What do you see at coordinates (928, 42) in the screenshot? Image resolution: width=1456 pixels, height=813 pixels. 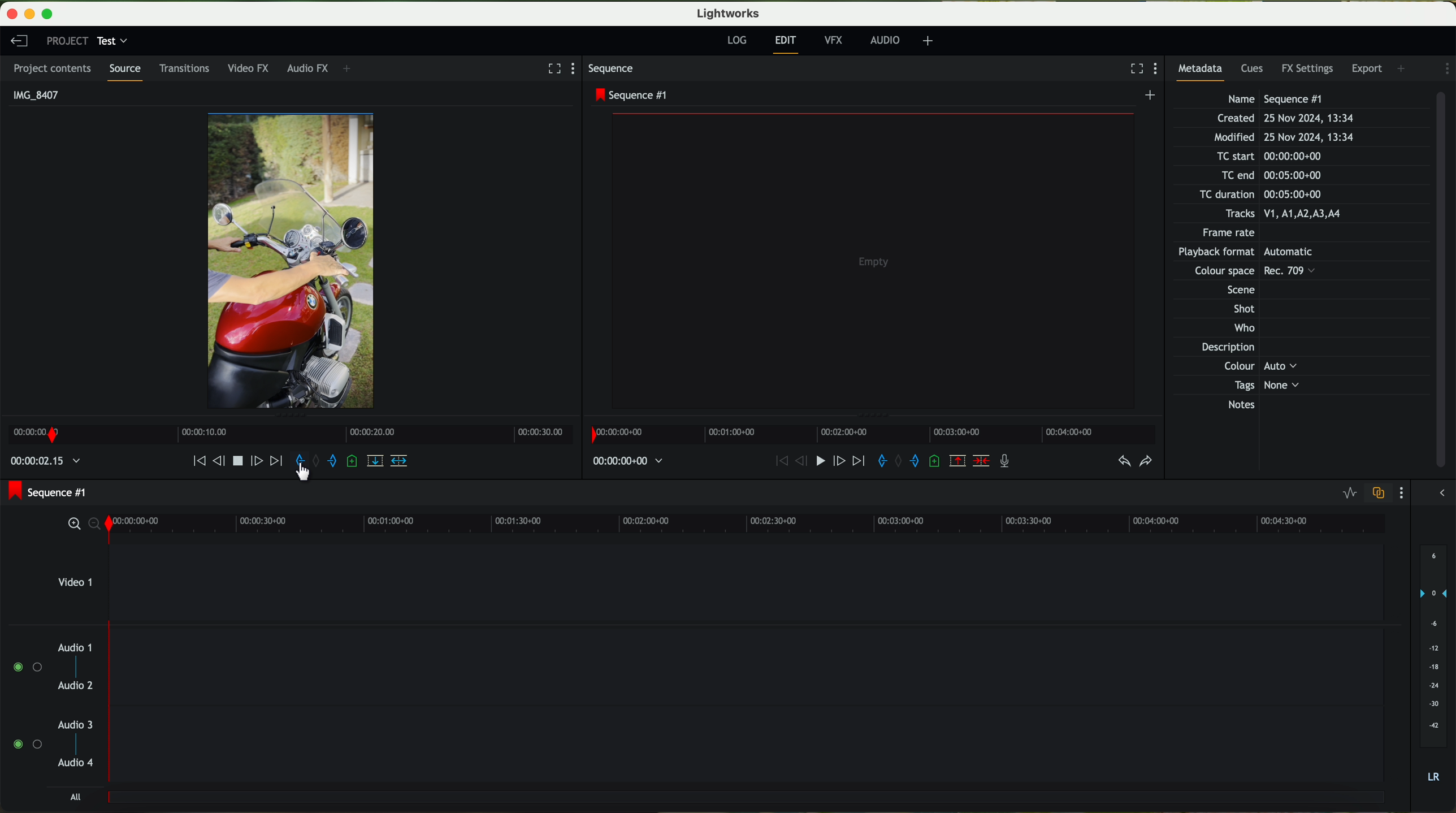 I see `+` at bounding box center [928, 42].